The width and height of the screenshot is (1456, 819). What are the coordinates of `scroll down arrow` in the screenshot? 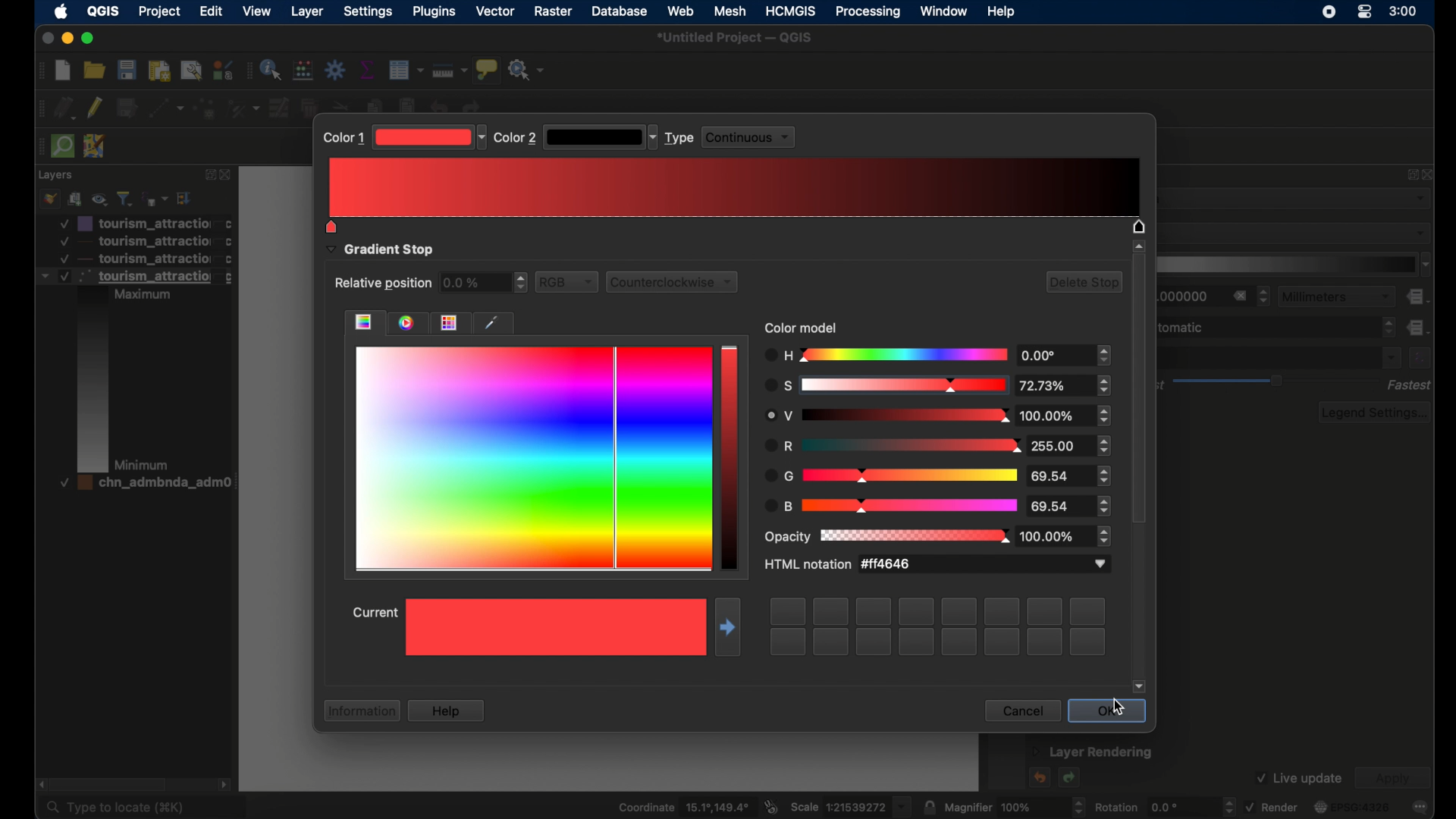 It's located at (1140, 687).